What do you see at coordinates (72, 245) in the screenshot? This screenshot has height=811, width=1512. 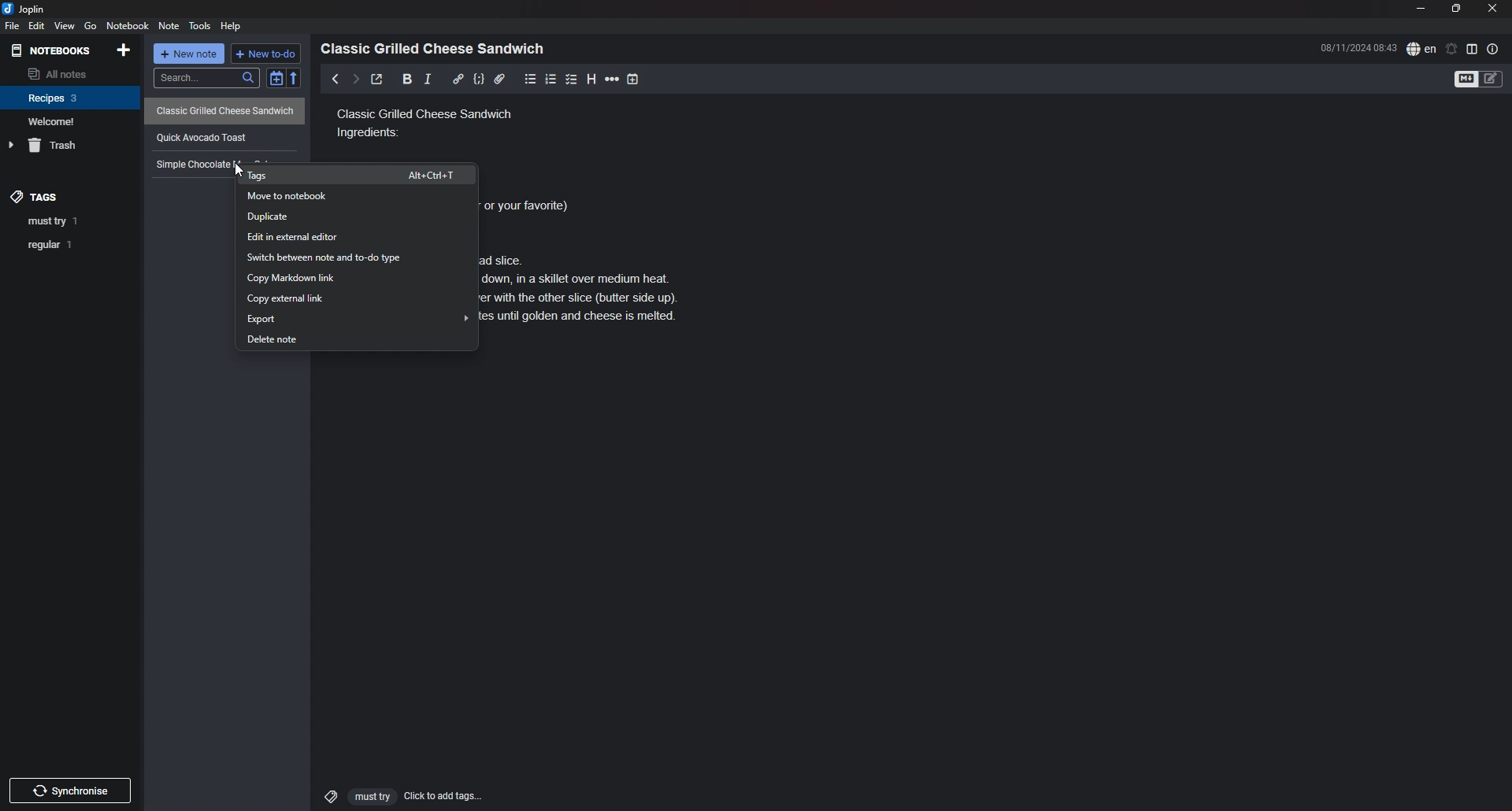 I see `tag` at bounding box center [72, 245].